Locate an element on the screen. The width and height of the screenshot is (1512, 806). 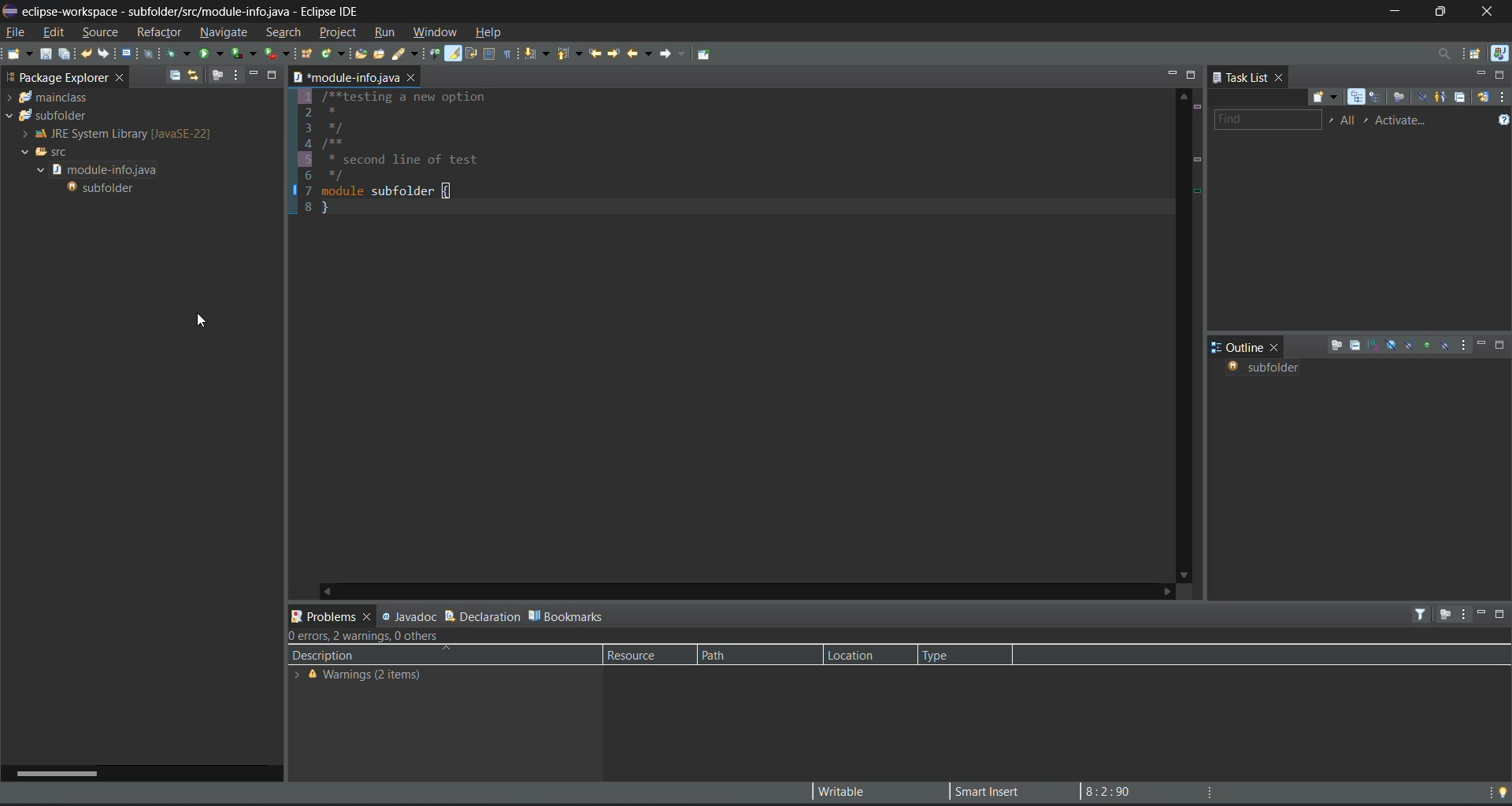
new task is located at coordinates (1327, 98).